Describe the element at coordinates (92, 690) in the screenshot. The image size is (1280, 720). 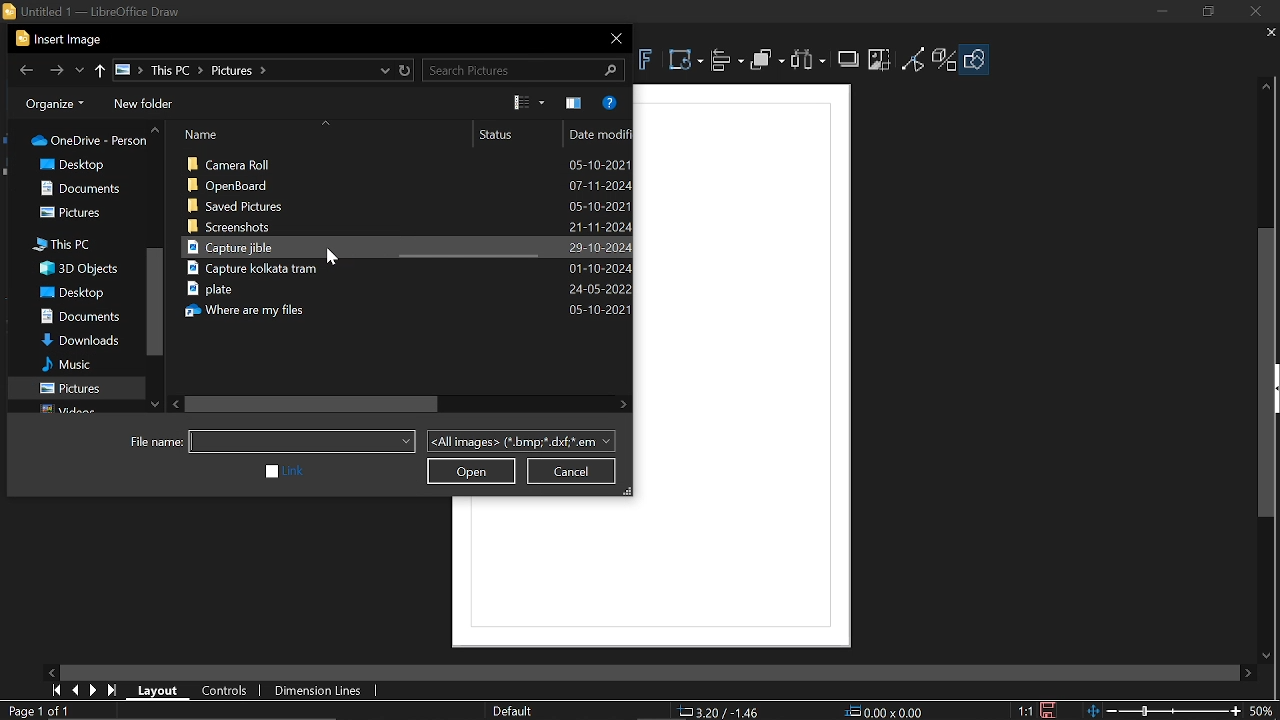
I see `Next page` at that location.